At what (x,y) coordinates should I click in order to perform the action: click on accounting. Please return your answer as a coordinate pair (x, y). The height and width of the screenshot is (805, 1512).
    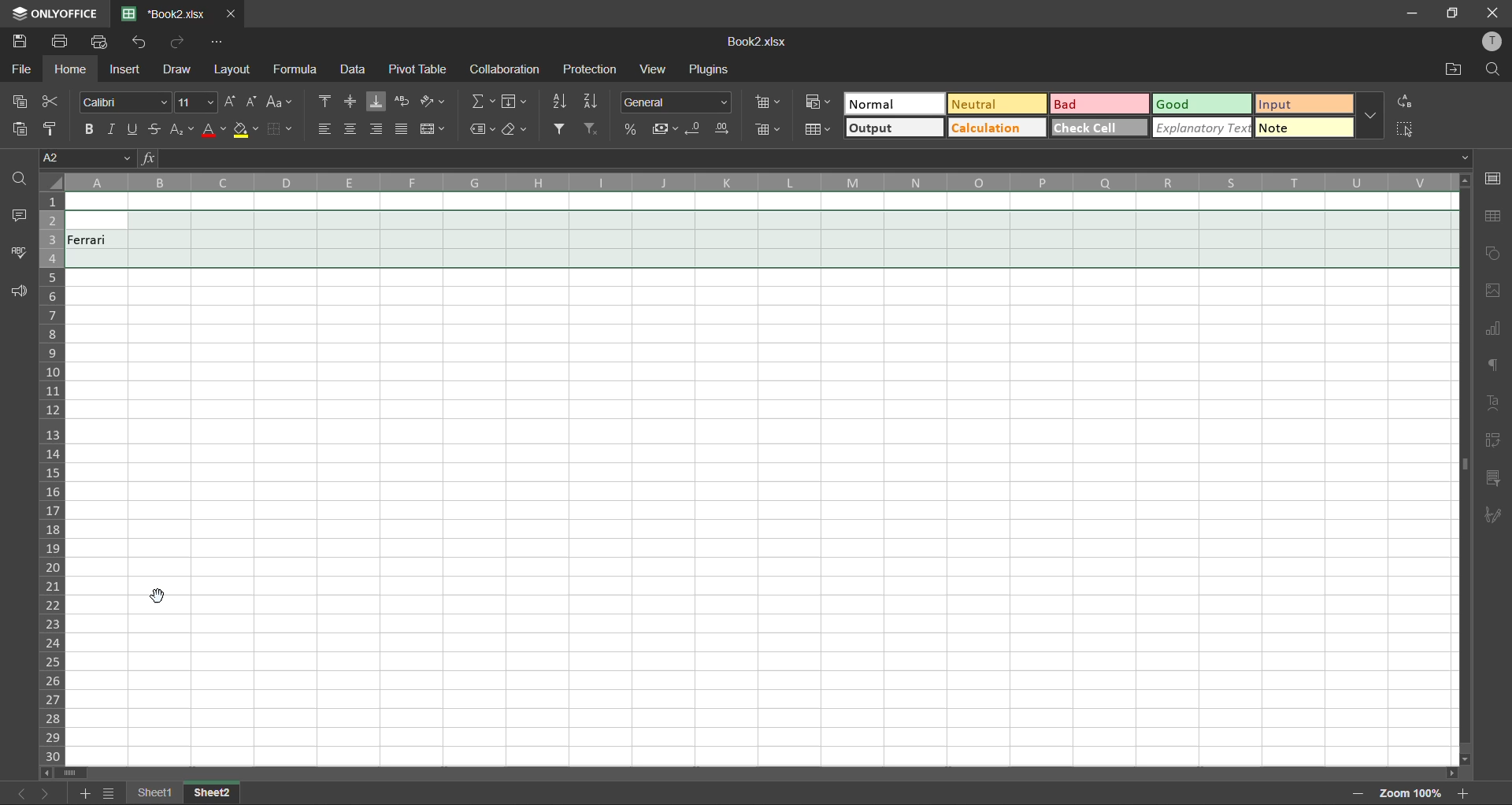
    Looking at the image, I should click on (667, 130).